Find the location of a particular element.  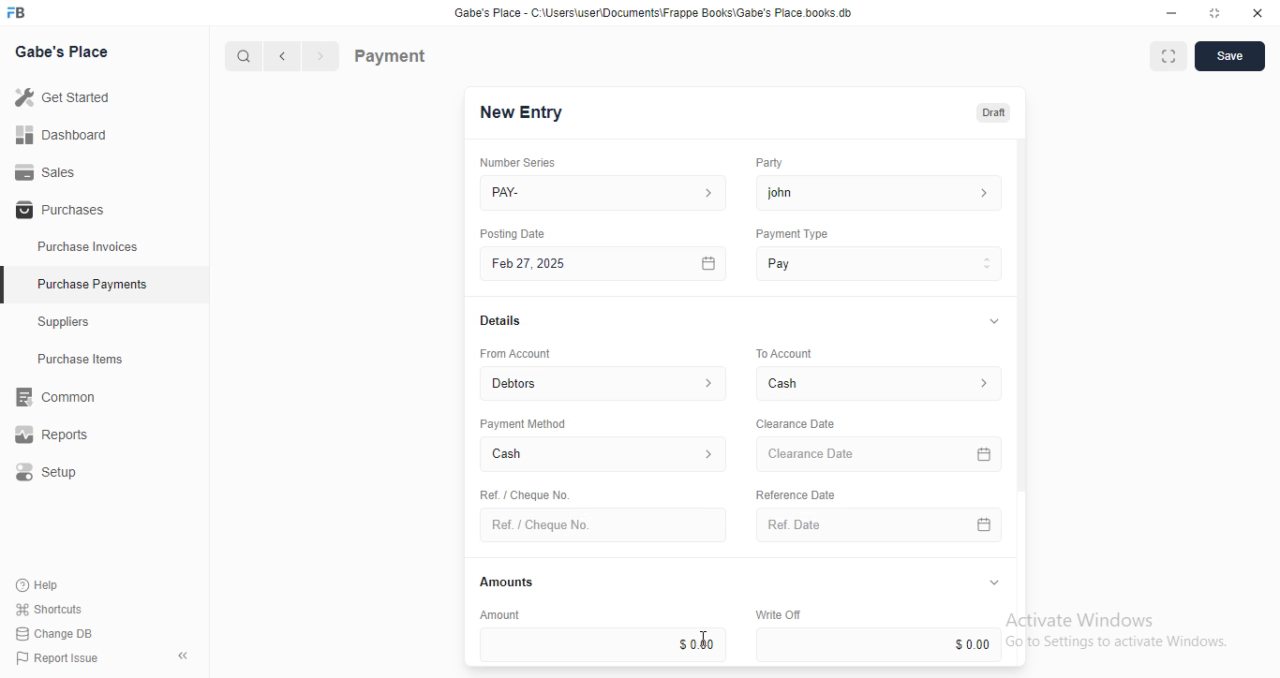

Report Issue is located at coordinates (52, 658).